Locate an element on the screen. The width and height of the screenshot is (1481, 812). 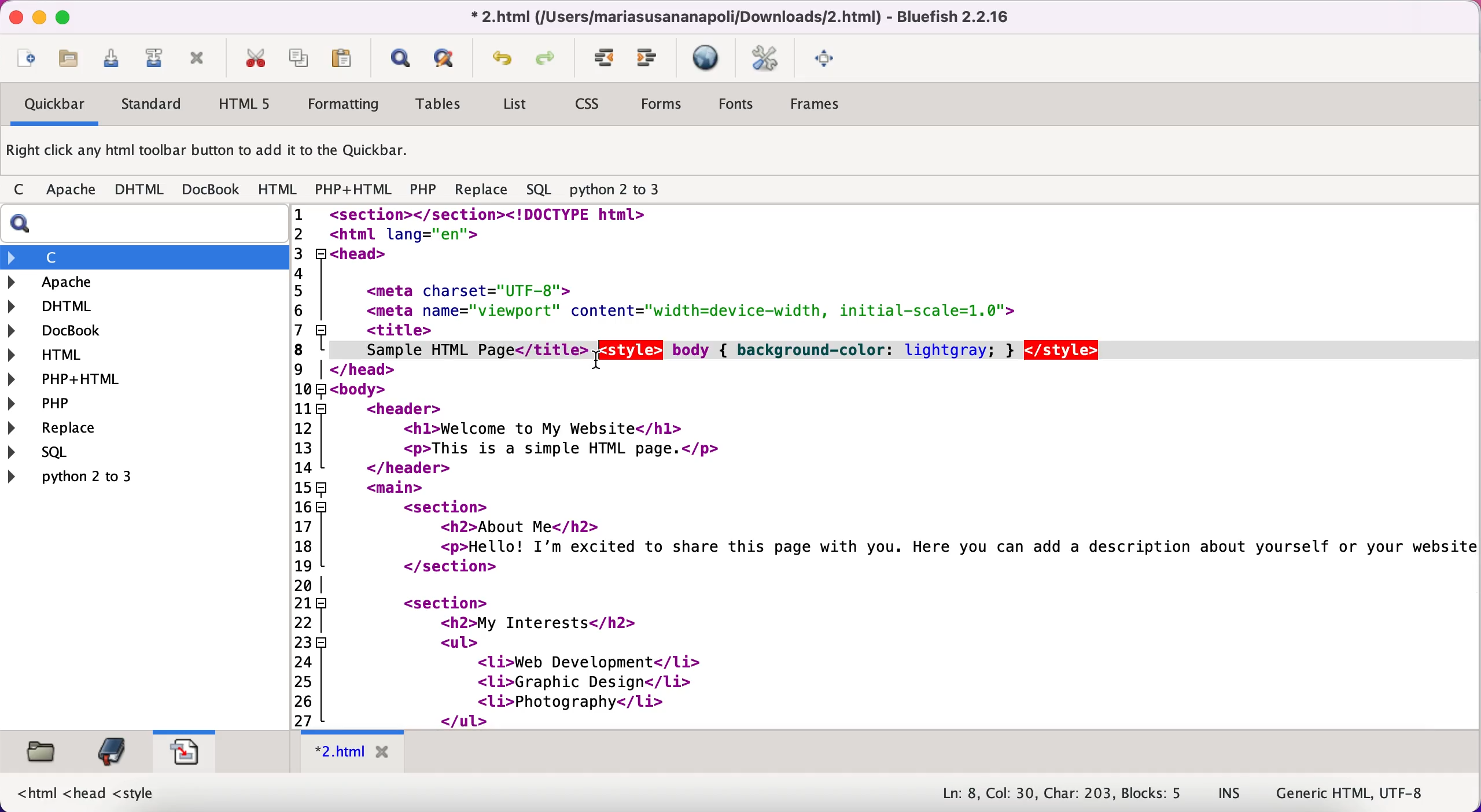
maximize is located at coordinates (63, 16).